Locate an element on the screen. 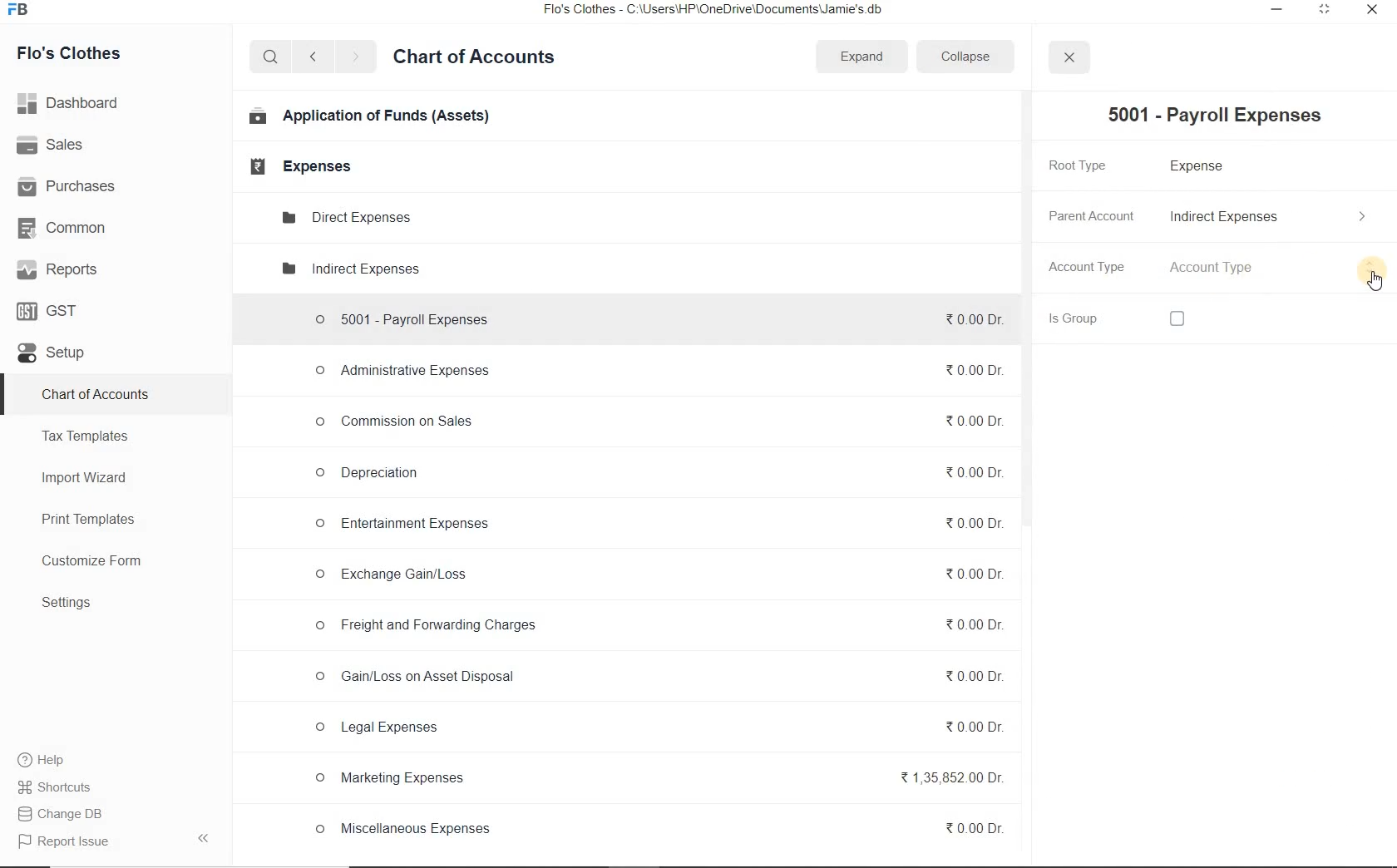 The width and height of the screenshot is (1397, 868). Flo's Clothes - C:\Users\HP\OneDrive\Documents\Jamie's db is located at coordinates (723, 11).